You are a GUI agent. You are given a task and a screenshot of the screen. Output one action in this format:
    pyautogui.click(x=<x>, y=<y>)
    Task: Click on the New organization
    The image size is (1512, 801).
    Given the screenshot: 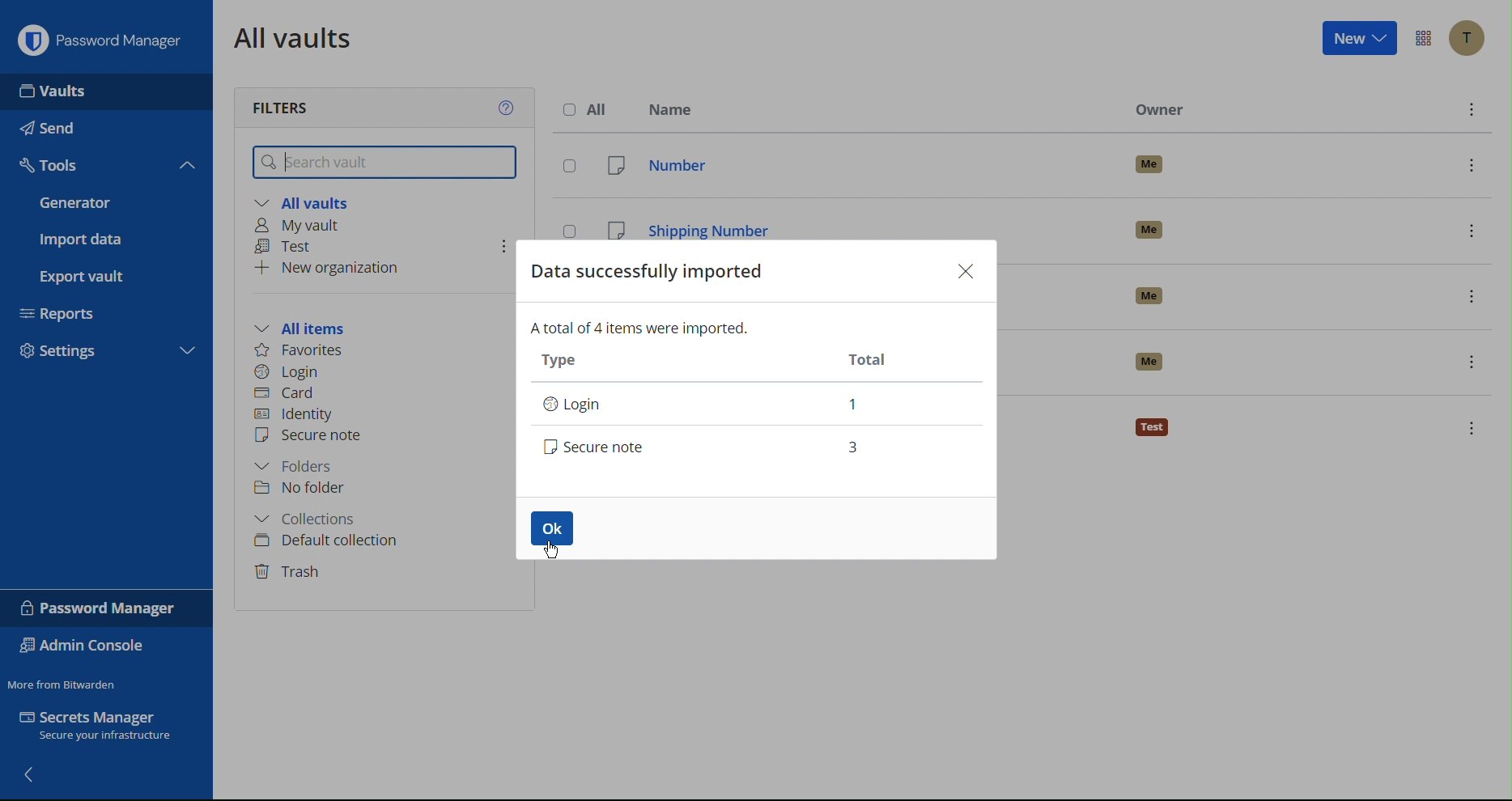 What is the action you would take?
    pyautogui.click(x=329, y=271)
    